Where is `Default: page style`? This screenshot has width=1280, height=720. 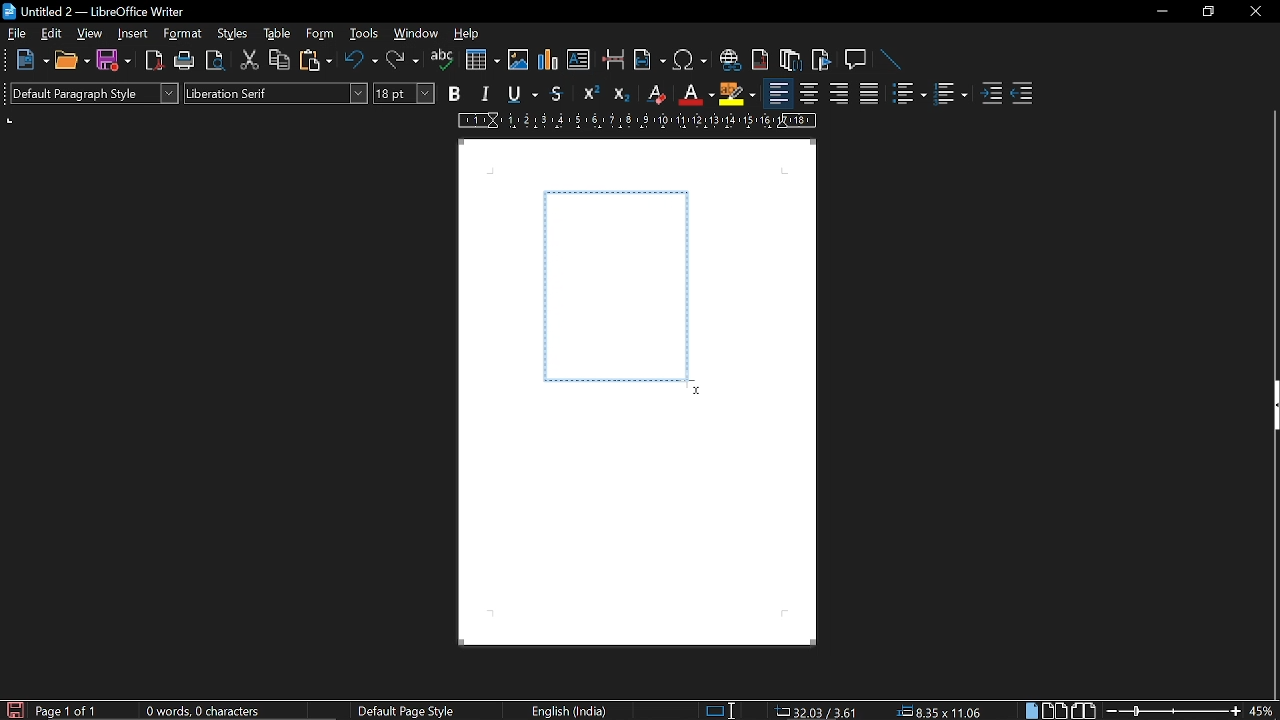 Default: page style is located at coordinates (406, 712).